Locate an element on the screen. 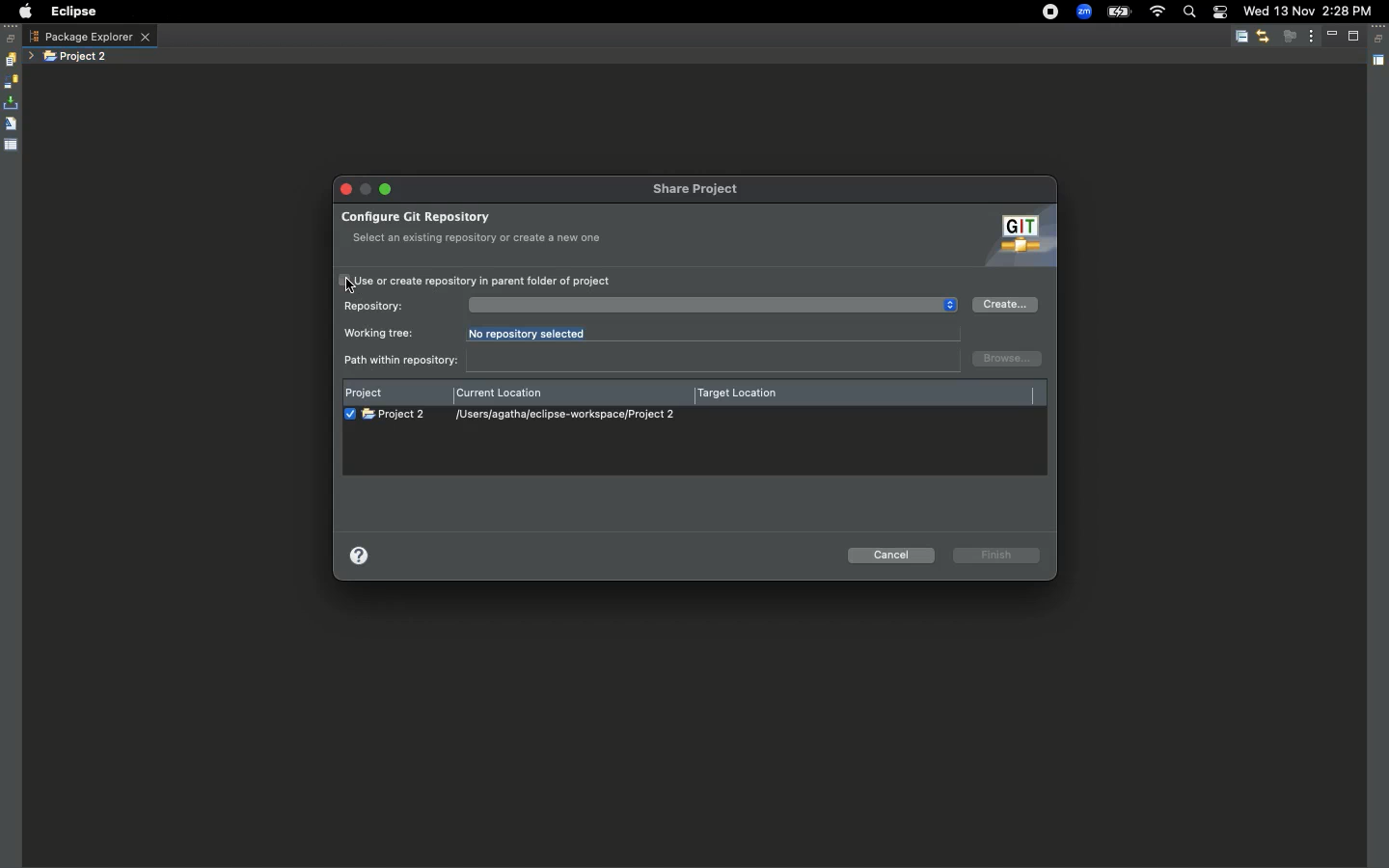 The width and height of the screenshot is (1389, 868). Increase/decrease buttons is located at coordinates (949, 306).